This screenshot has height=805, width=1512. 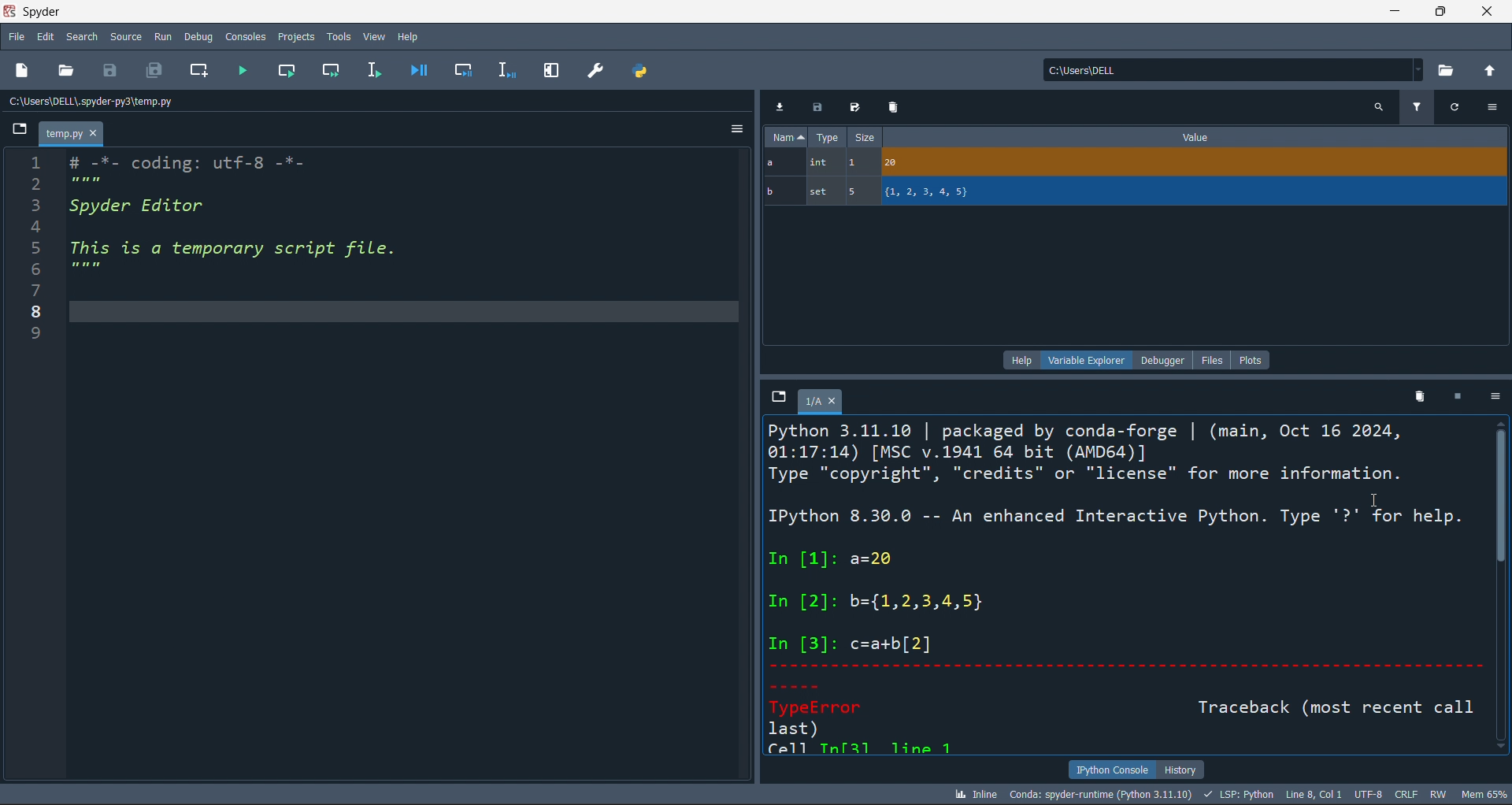 I want to click on refresh , so click(x=1453, y=106).